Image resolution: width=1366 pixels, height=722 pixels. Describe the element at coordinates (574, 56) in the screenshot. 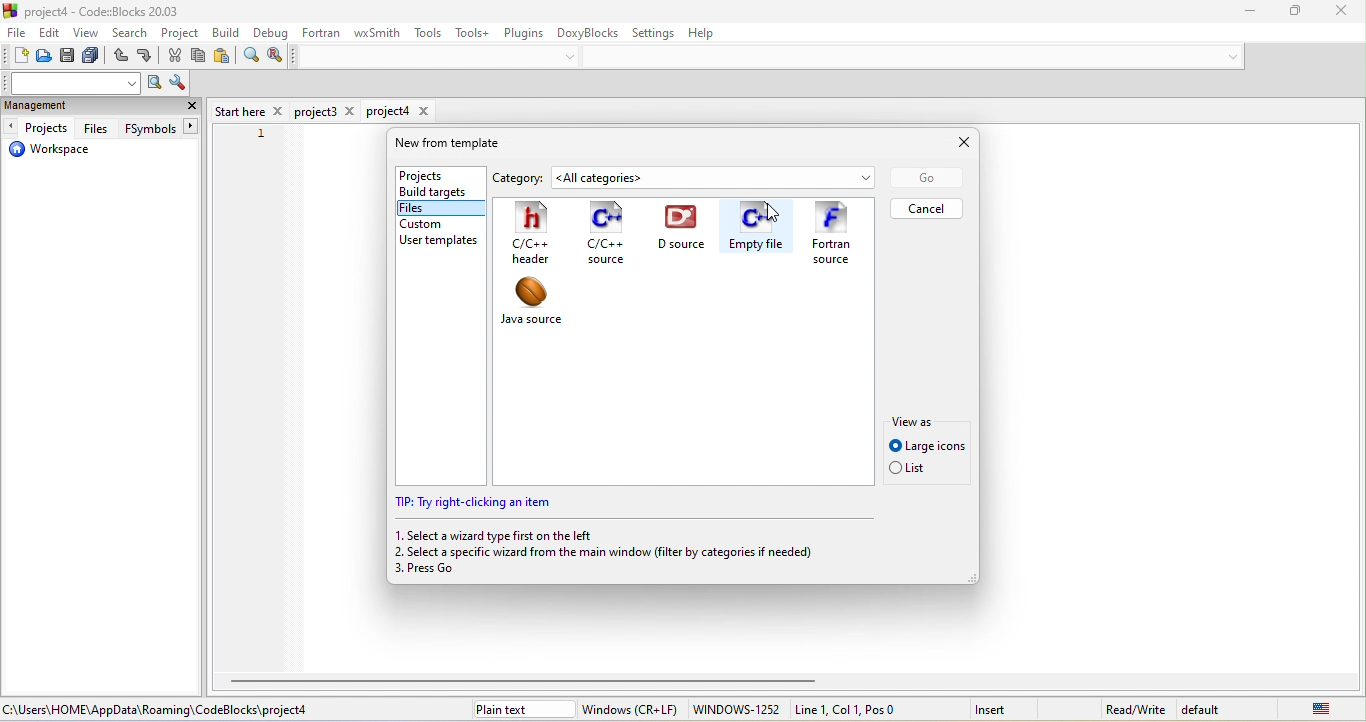

I see `down` at that location.